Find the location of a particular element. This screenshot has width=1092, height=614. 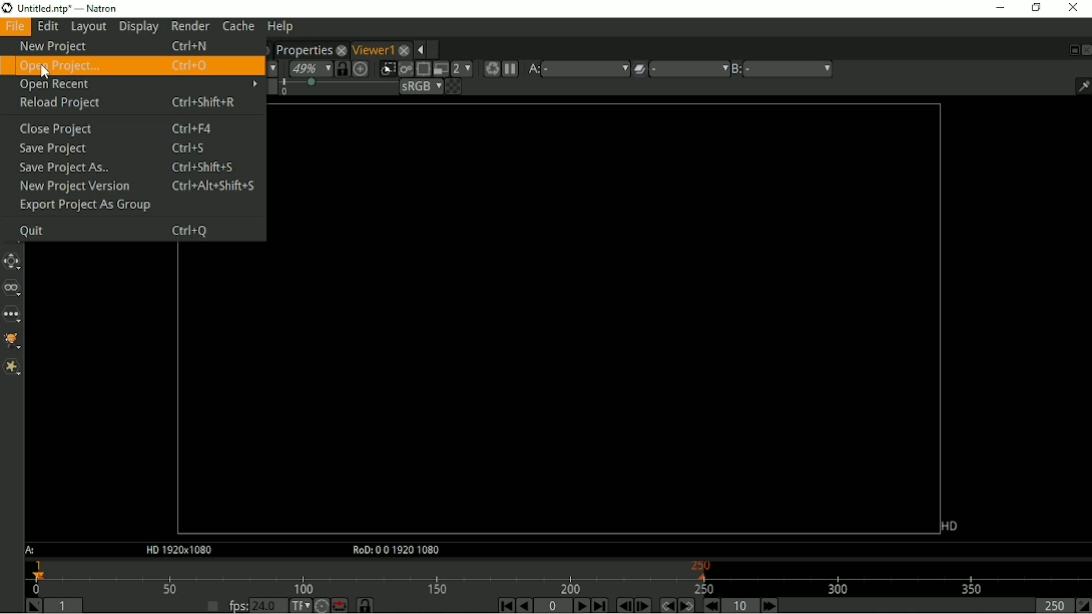

Restore down is located at coordinates (1035, 8).